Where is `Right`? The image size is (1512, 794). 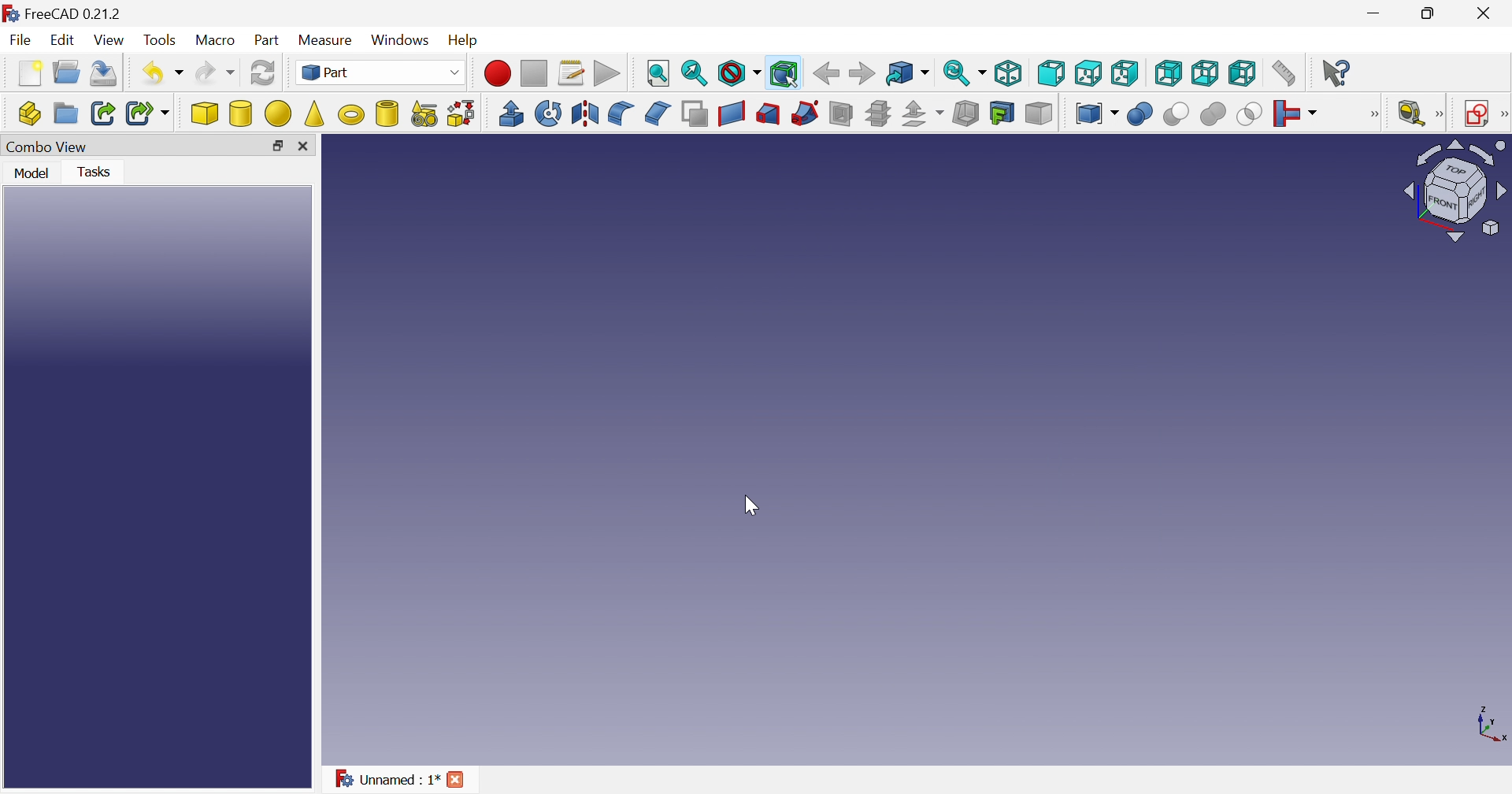 Right is located at coordinates (1125, 73).